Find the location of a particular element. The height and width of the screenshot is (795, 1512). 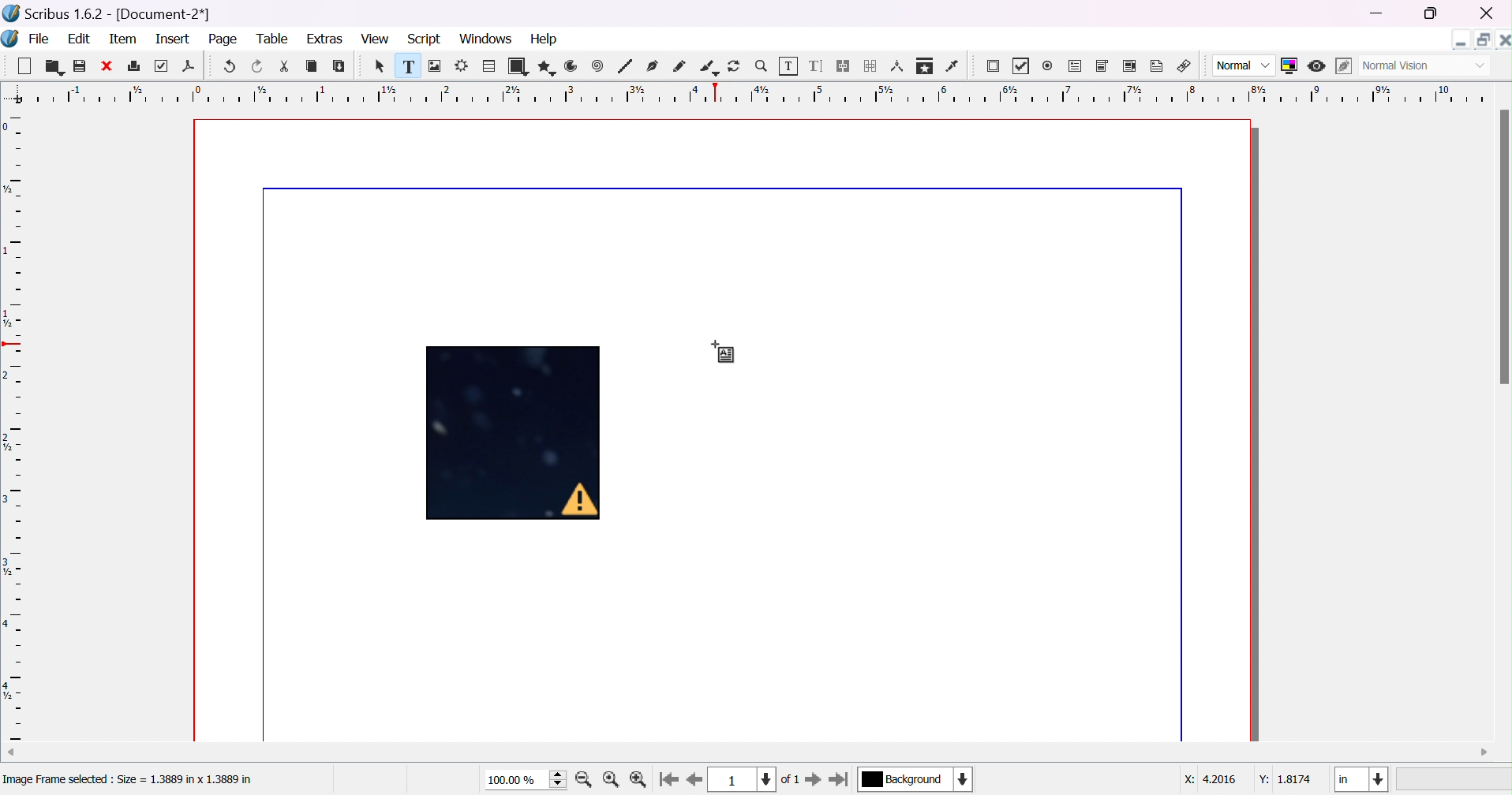

zoom in/out is located at coordinates (762, 65).